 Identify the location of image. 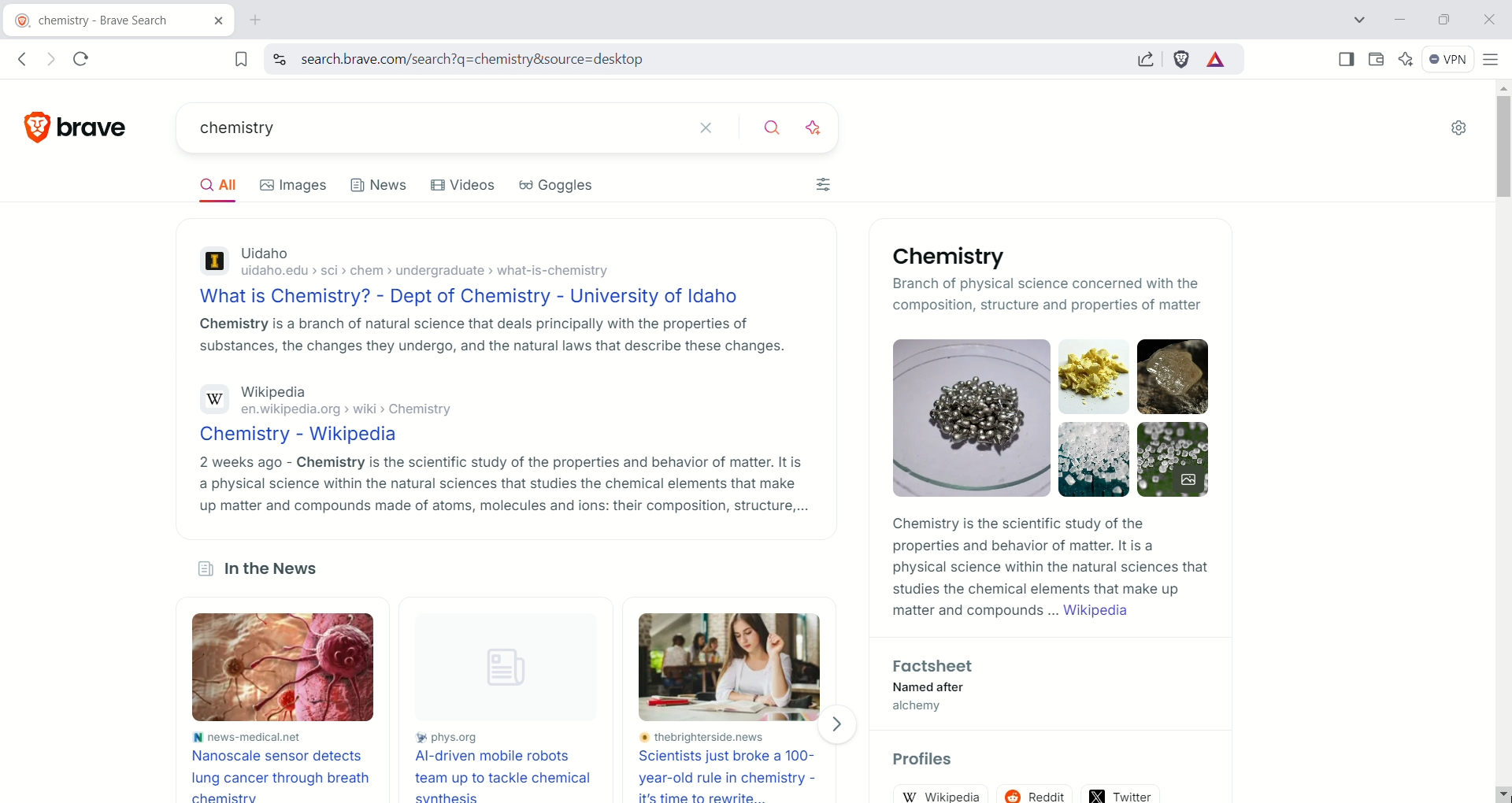
(295, 669).